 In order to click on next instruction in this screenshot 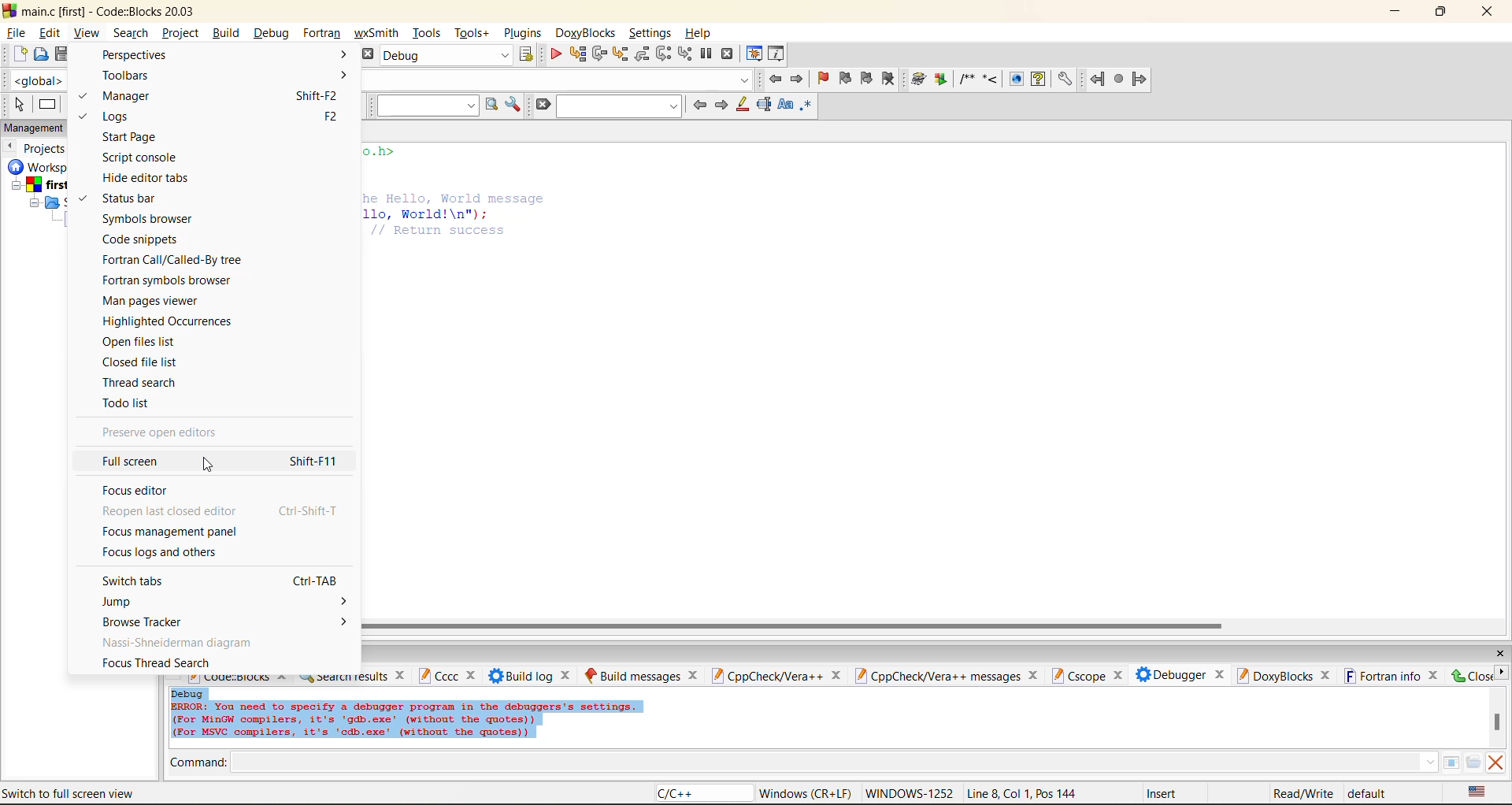, I will do `click(665, 54)`.